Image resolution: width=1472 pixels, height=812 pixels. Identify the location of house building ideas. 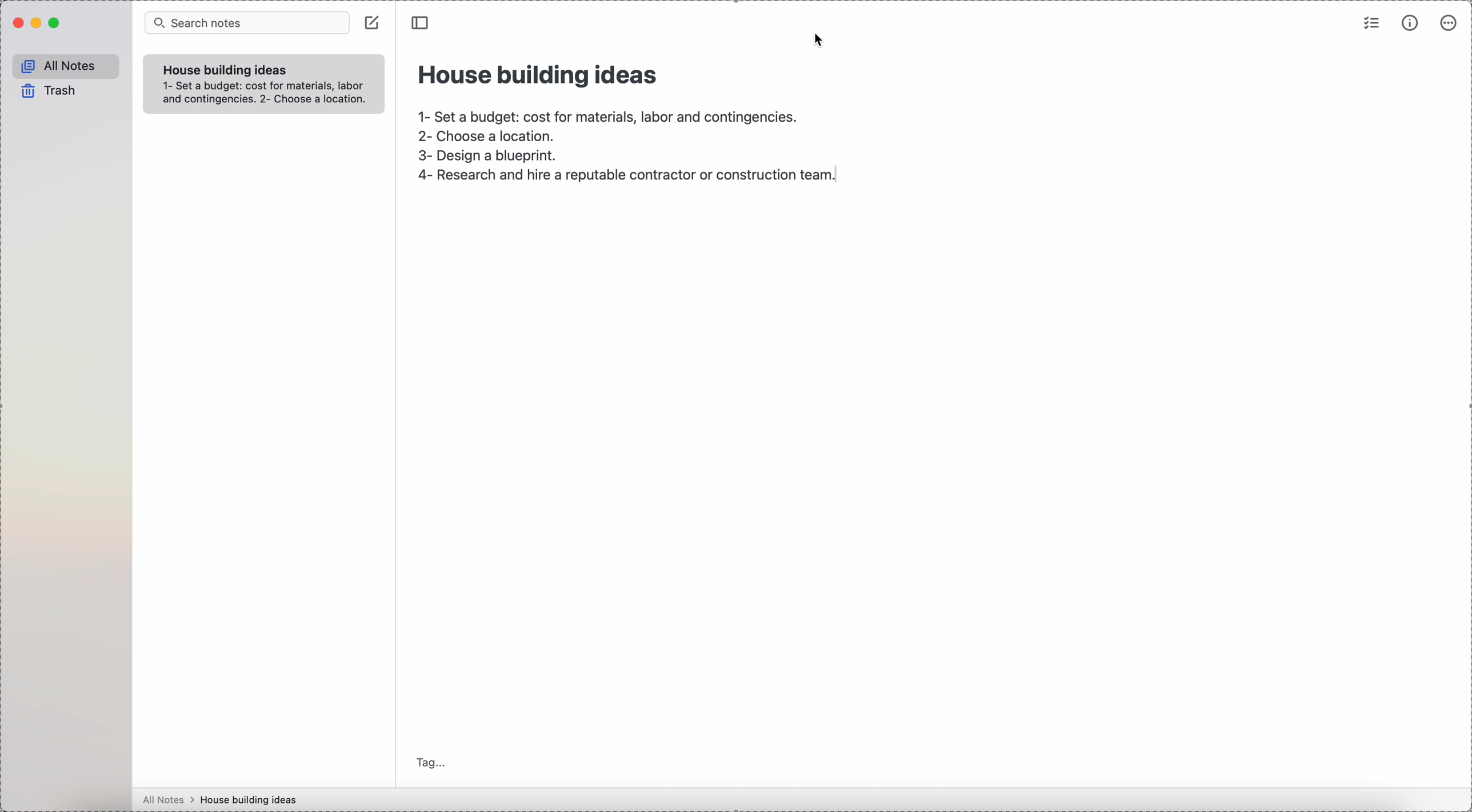
(226, 70).